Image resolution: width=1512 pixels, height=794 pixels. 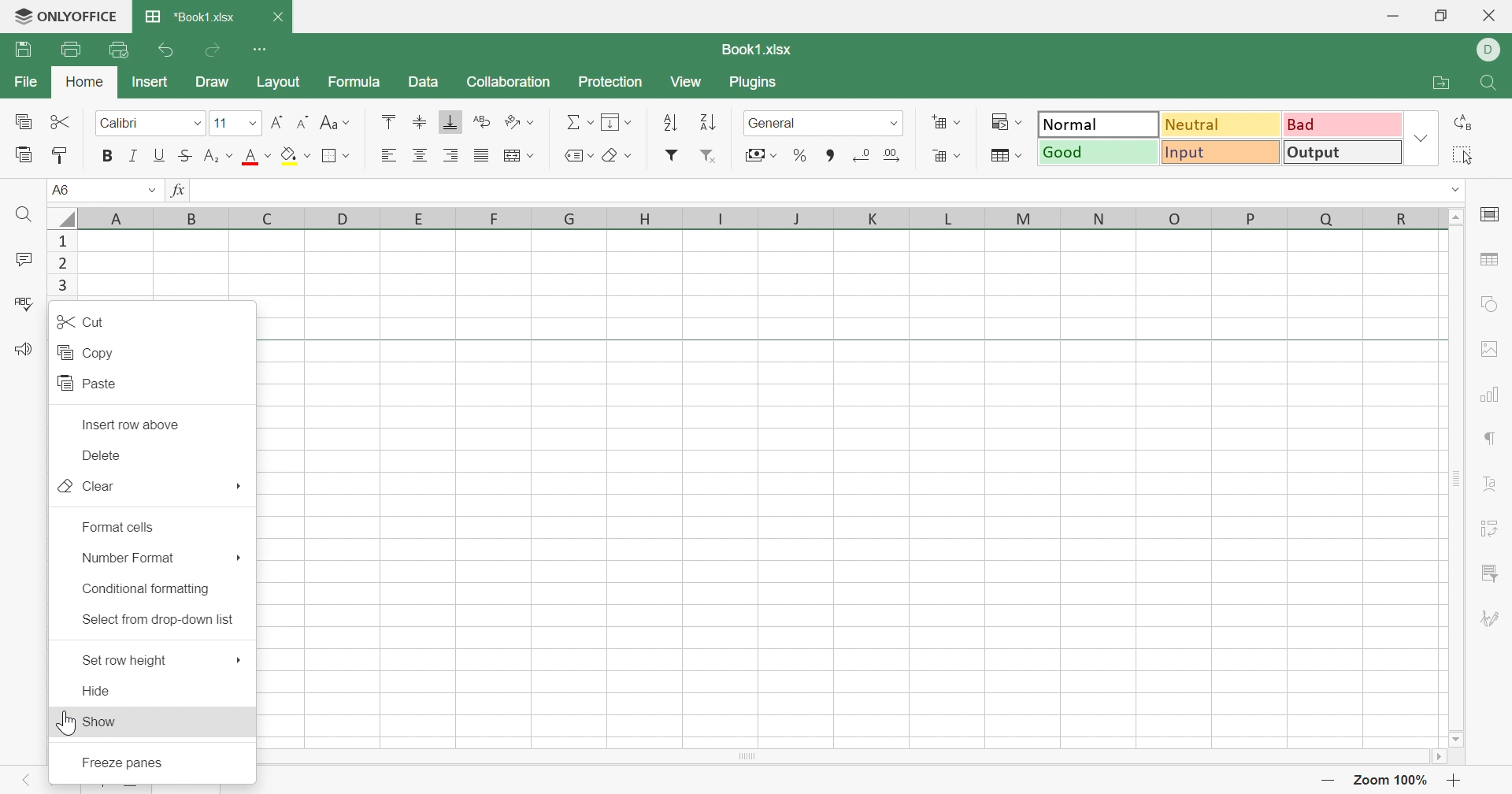 What do you see at coordinates (892, 126) in the screenshot?
I see `Drop DOWN` at bounding box center [892, 126].